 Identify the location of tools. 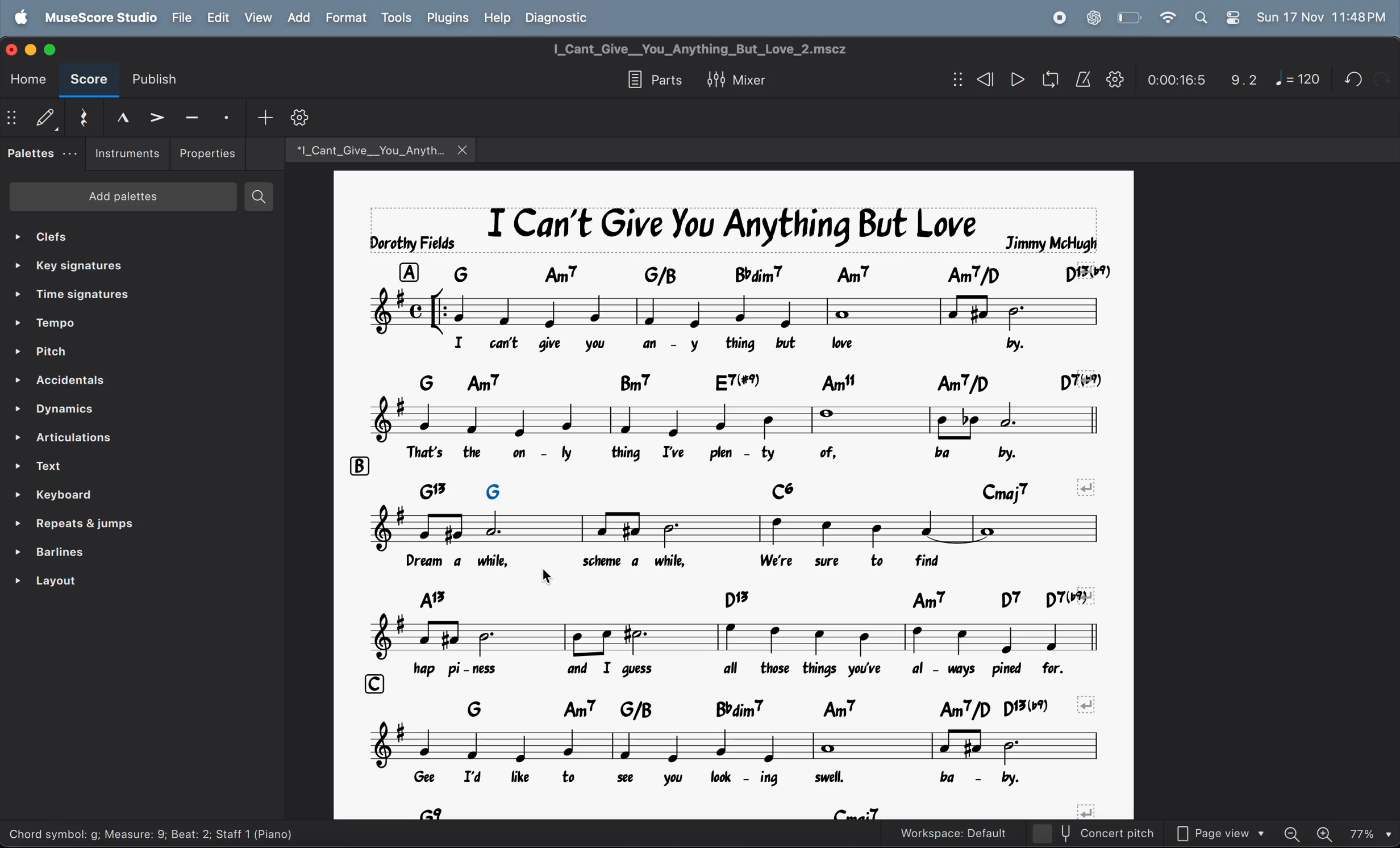
(396, 18).